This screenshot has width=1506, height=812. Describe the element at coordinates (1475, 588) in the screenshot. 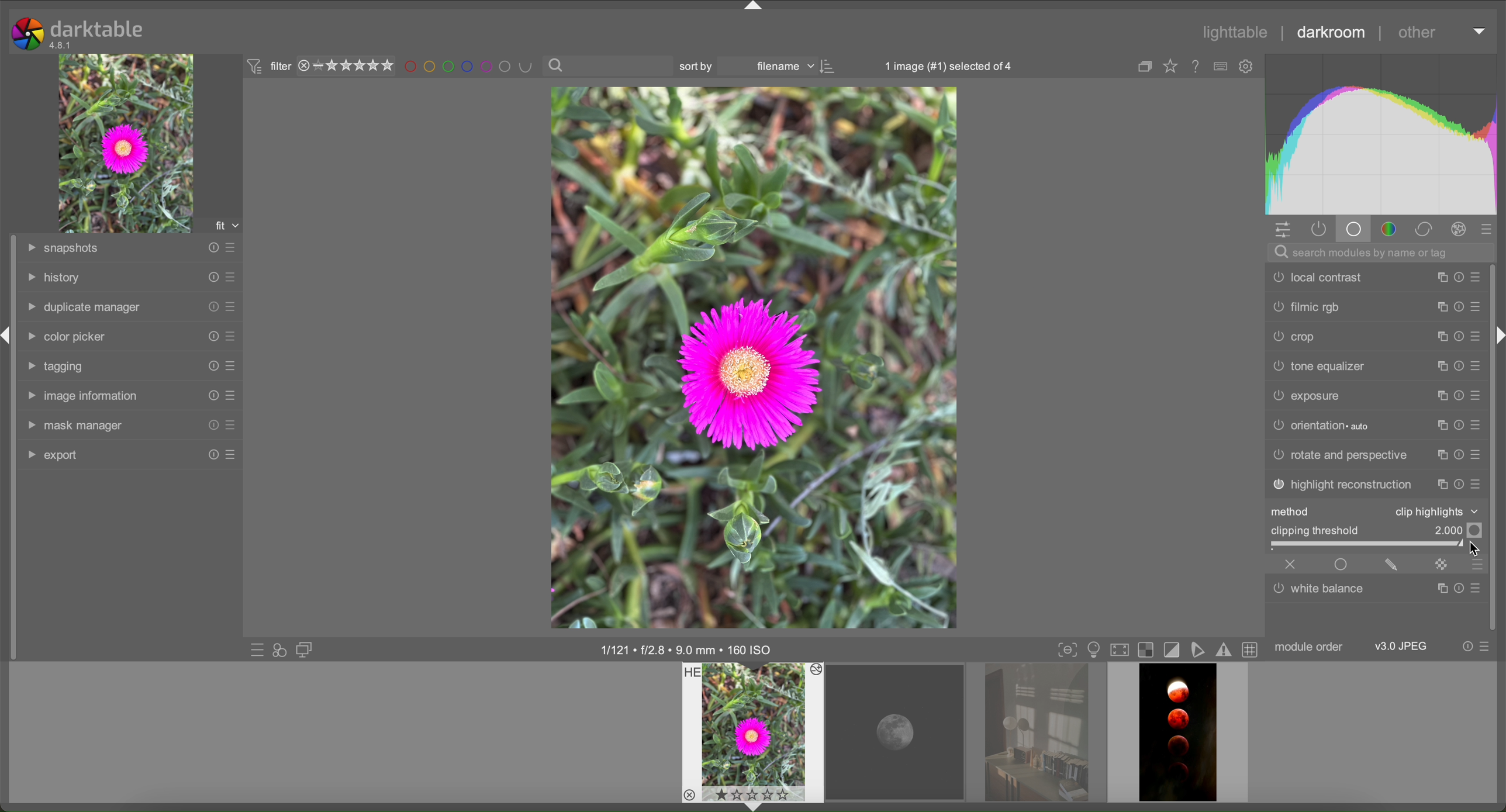

I see `presets` at that location.